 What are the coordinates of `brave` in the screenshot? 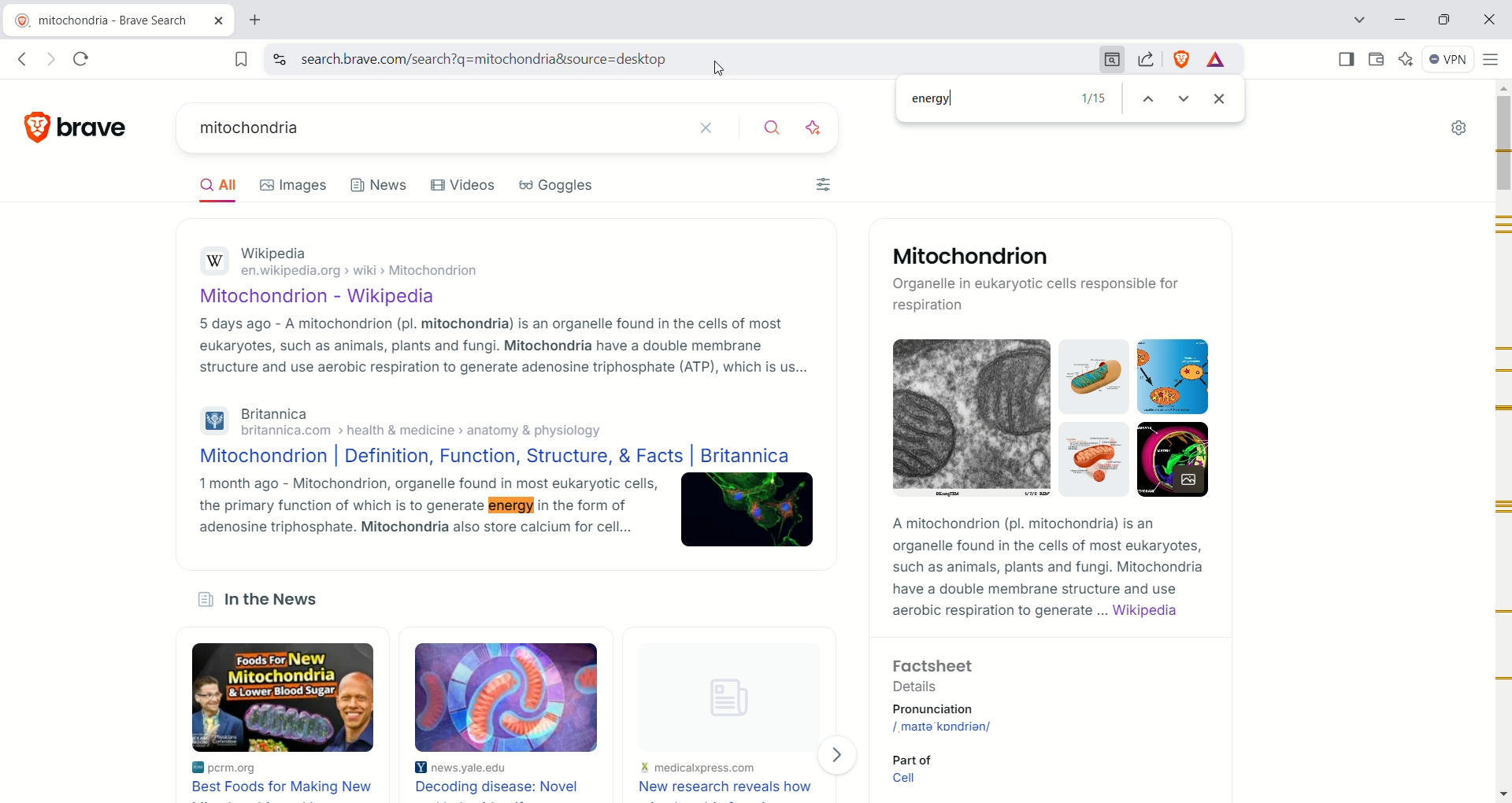 It's located at (96, 129).